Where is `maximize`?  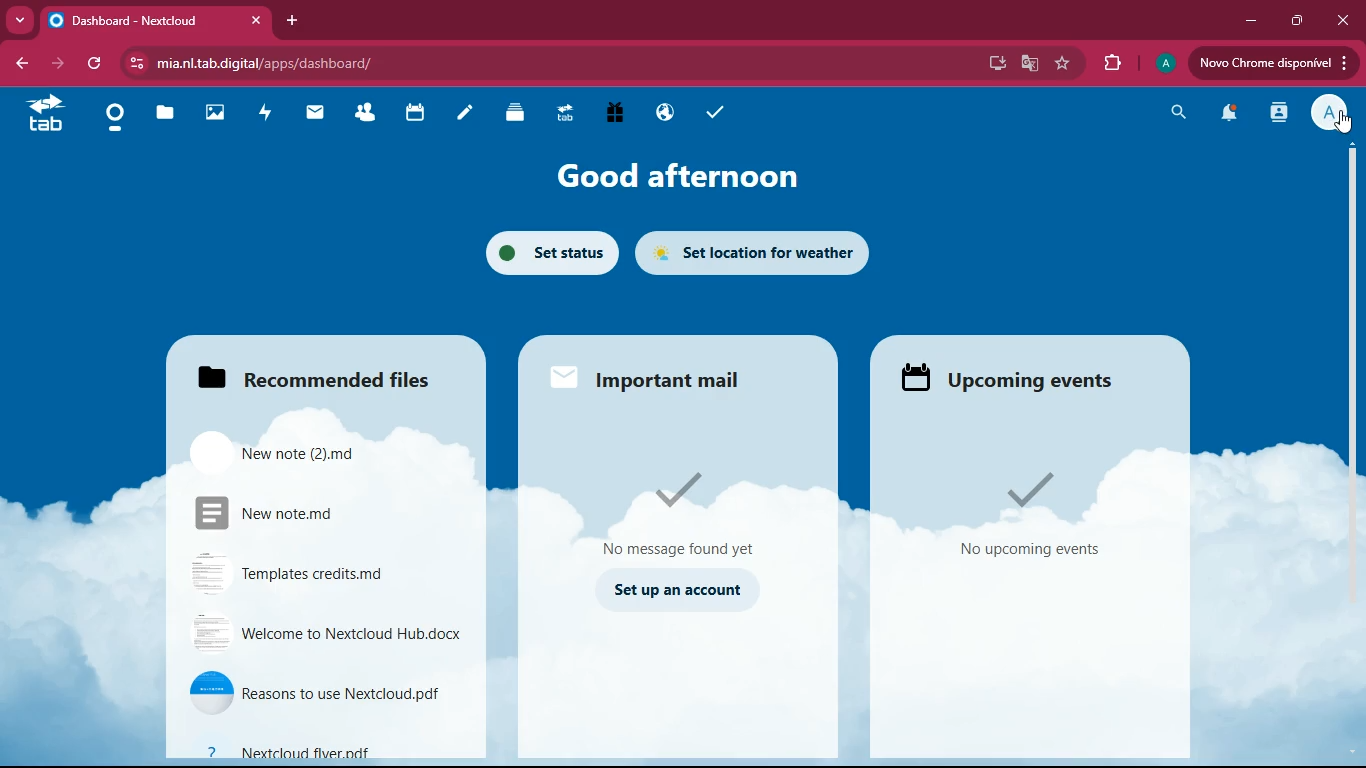
maximize is located at coordinates (1293, 22).